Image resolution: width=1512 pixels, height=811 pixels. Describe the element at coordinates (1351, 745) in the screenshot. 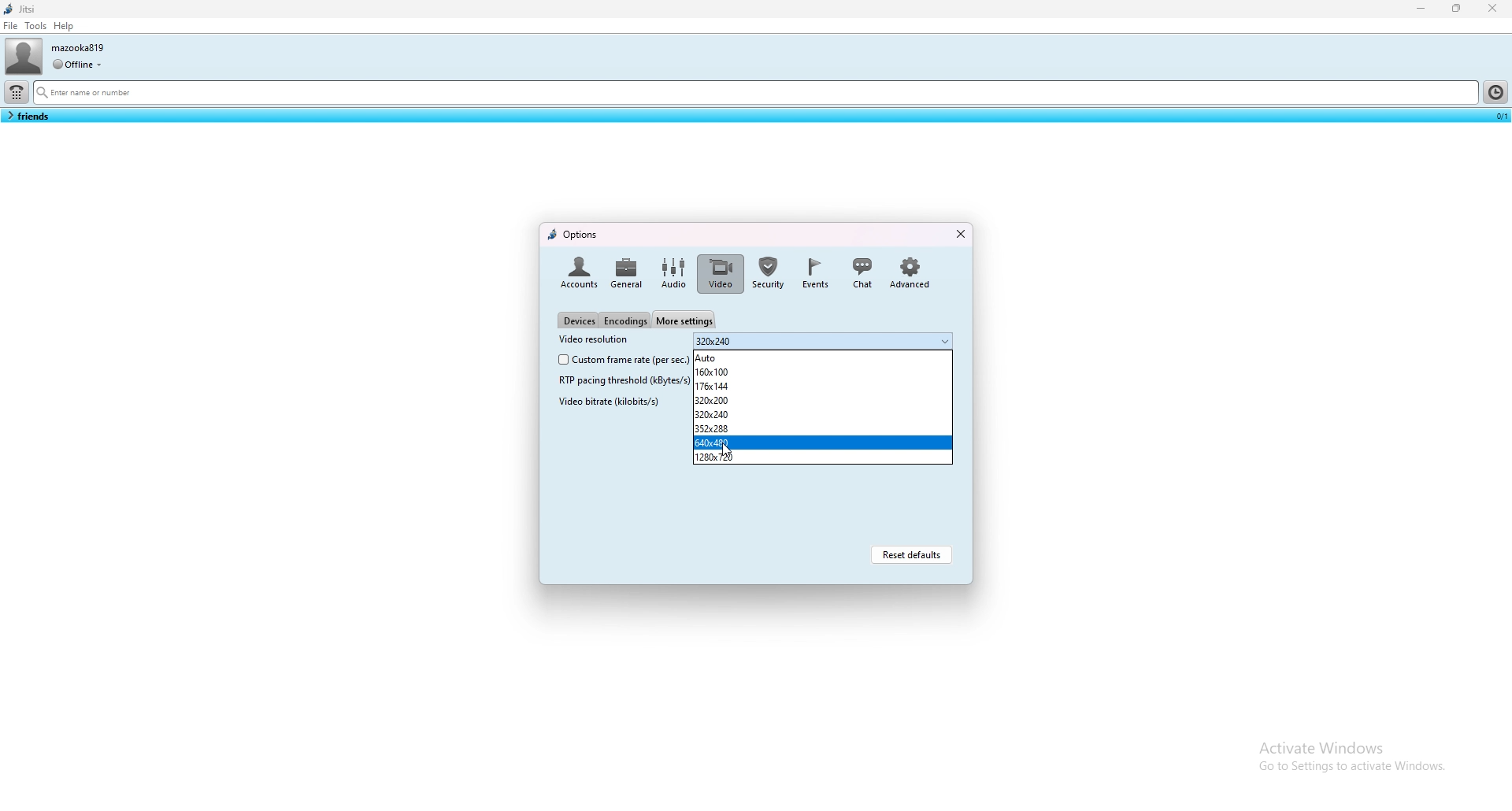

I see `Activate windows` at that location.